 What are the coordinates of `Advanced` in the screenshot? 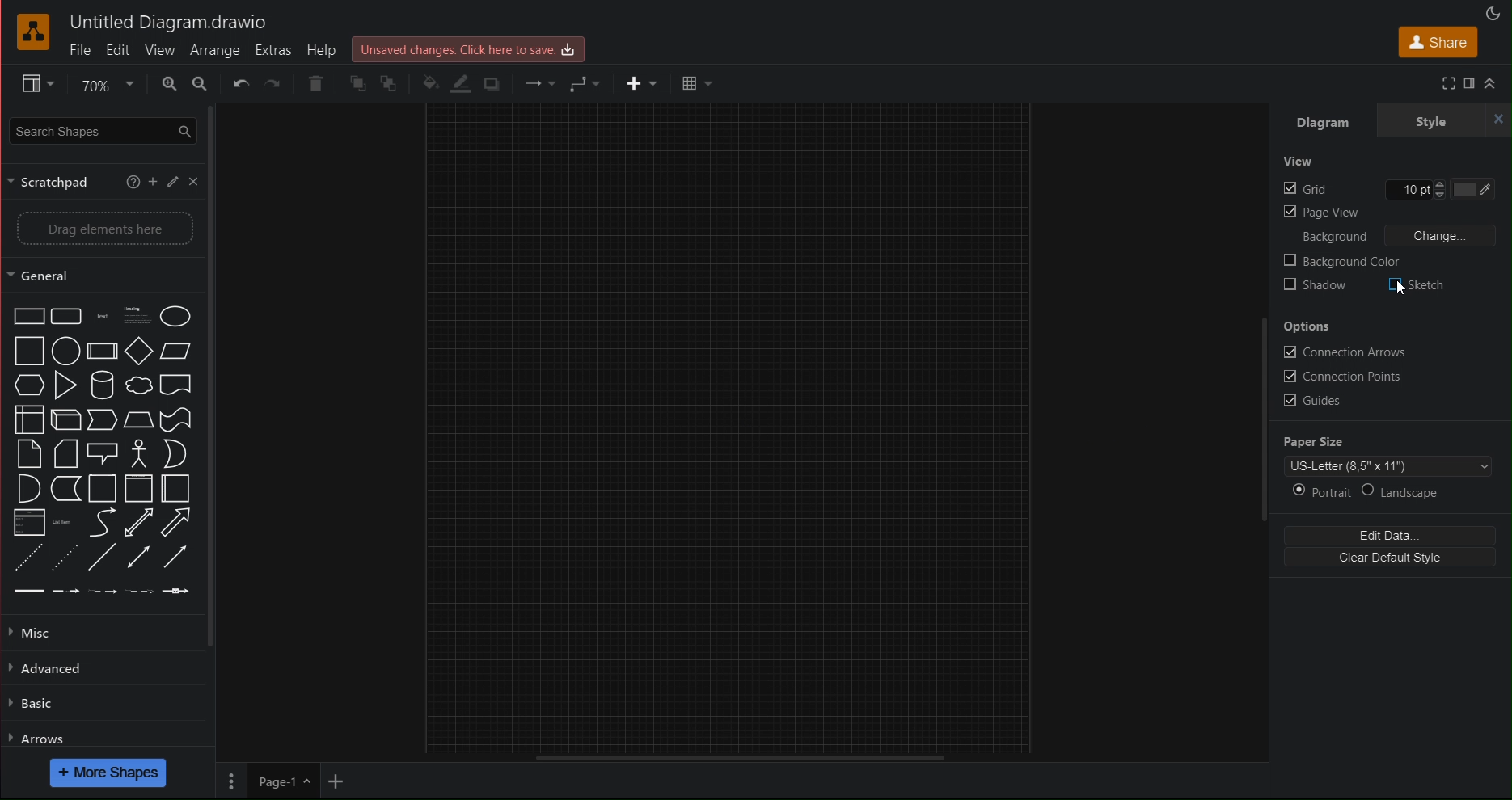 It's located at (97, 667).